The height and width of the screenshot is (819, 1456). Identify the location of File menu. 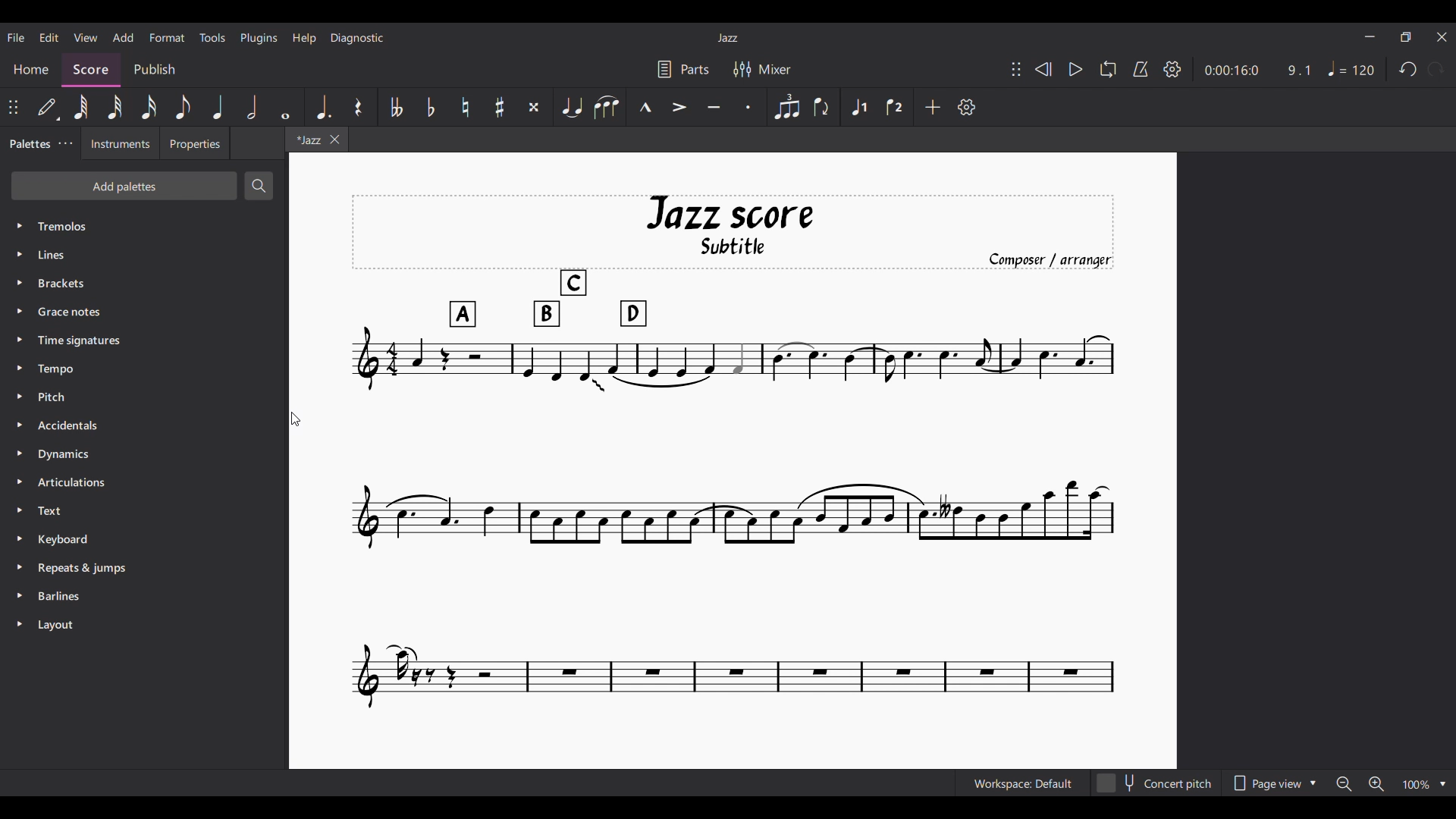
(16, 37).